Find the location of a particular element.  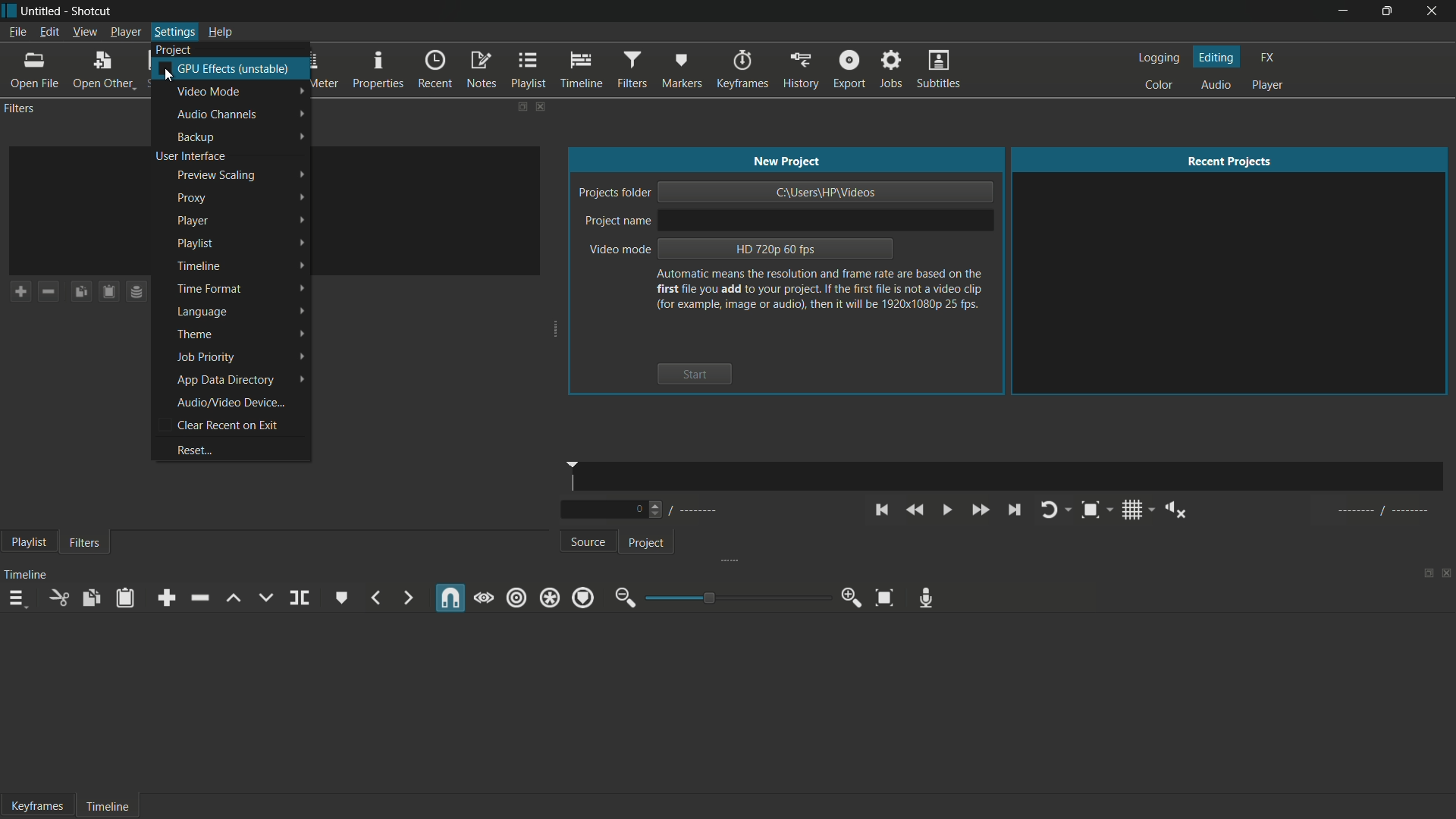

Number is located at coordinates (642, 510).